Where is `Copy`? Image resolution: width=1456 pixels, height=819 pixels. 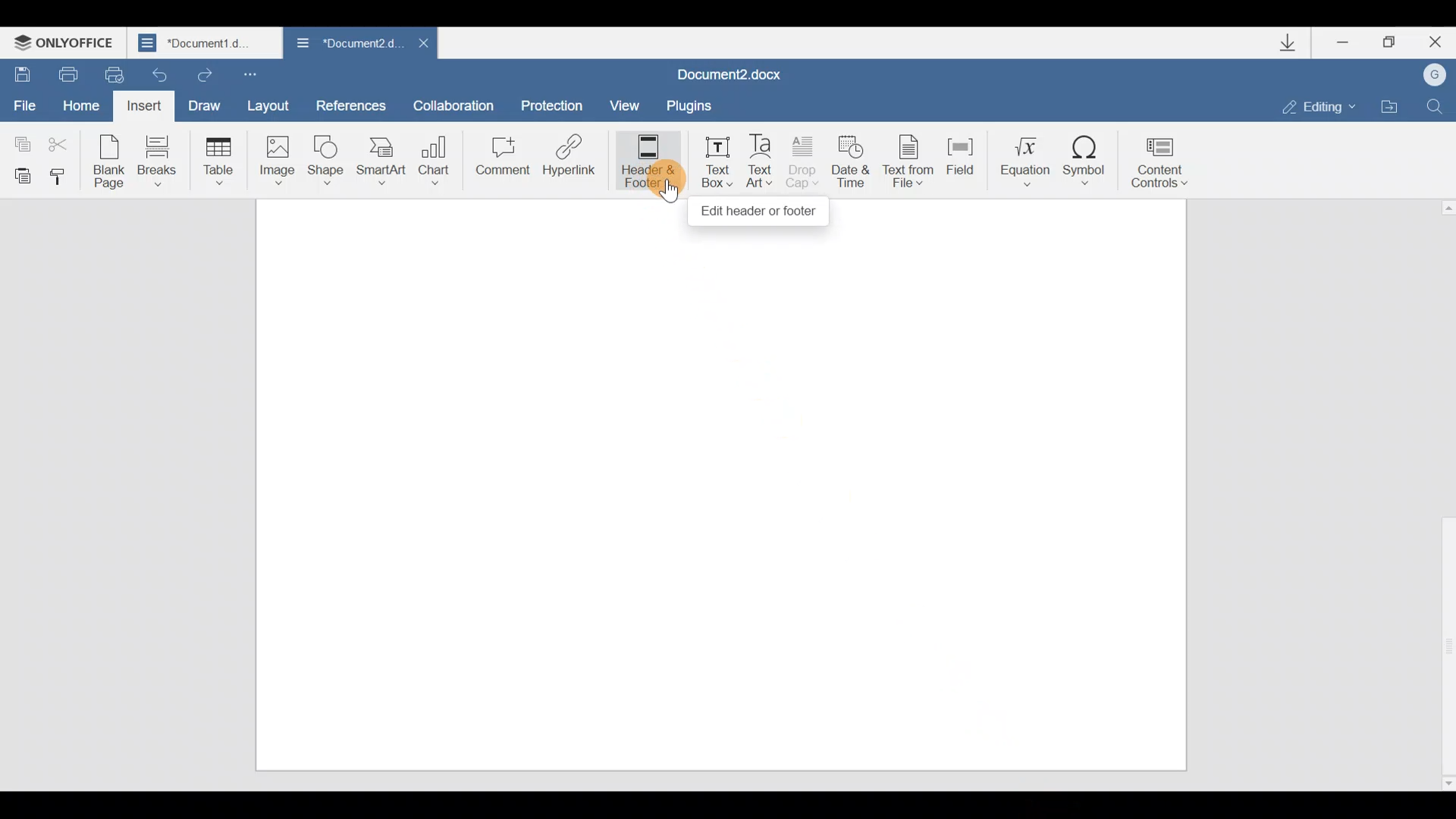 Copy is located at coordinates (19, 140).